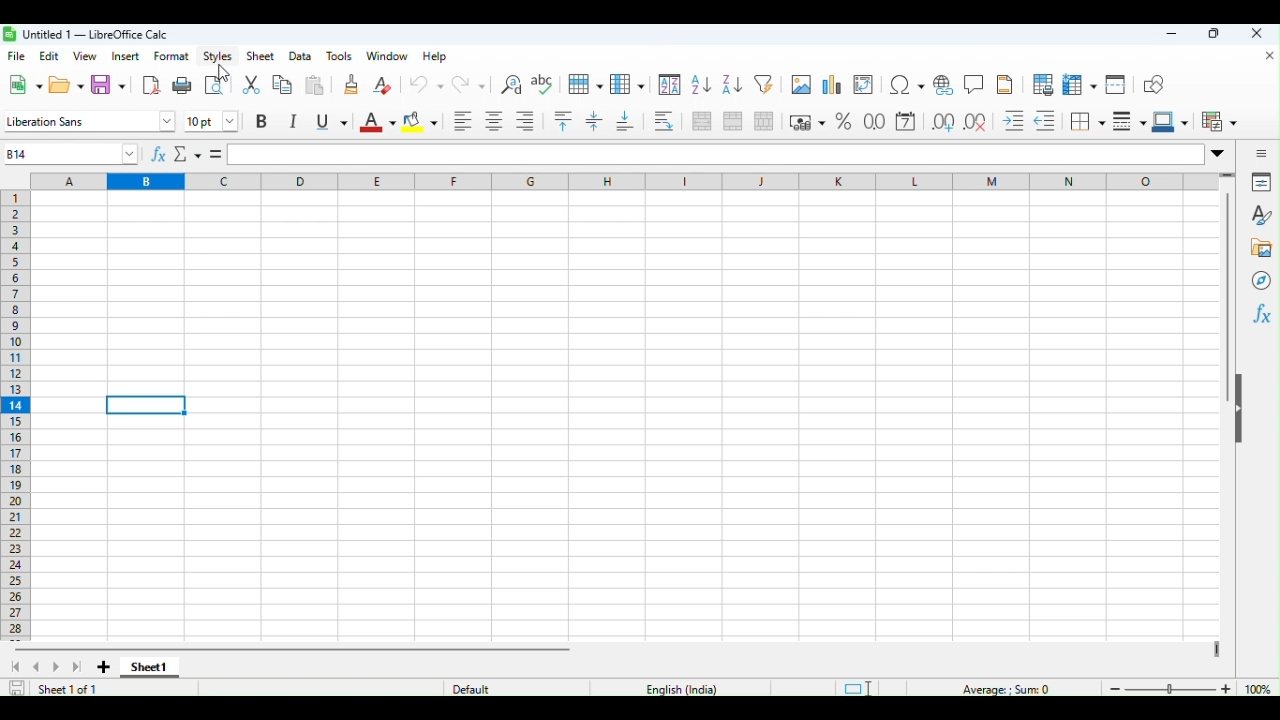  What do you see at coordinates (876, 120) in the screenshot?
I see `Format as decimal` at bounding box center [876, 120].